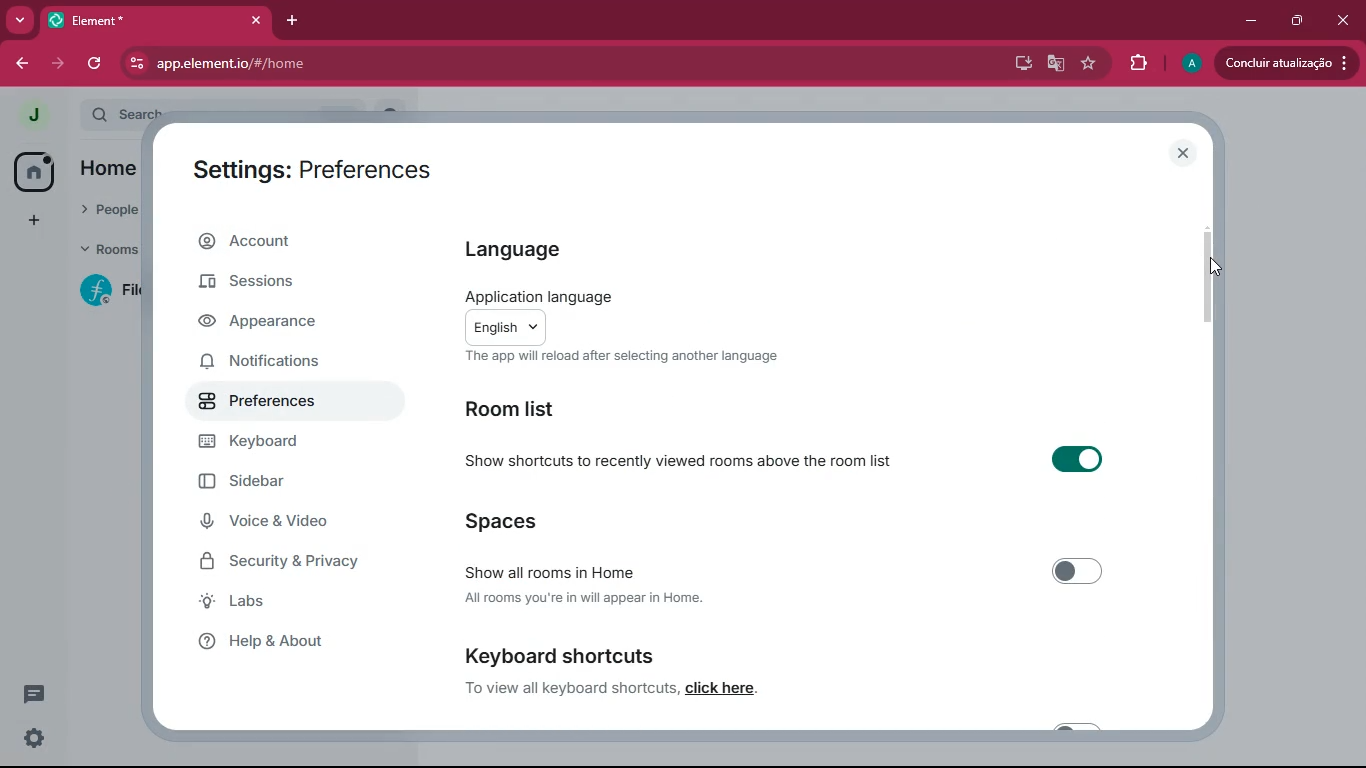 The width and height of the screenshot is (1366, 768). Describe the element at coordinates (622, 357) in the screenshot. I see `the app will reload after selecting another language` at that location.